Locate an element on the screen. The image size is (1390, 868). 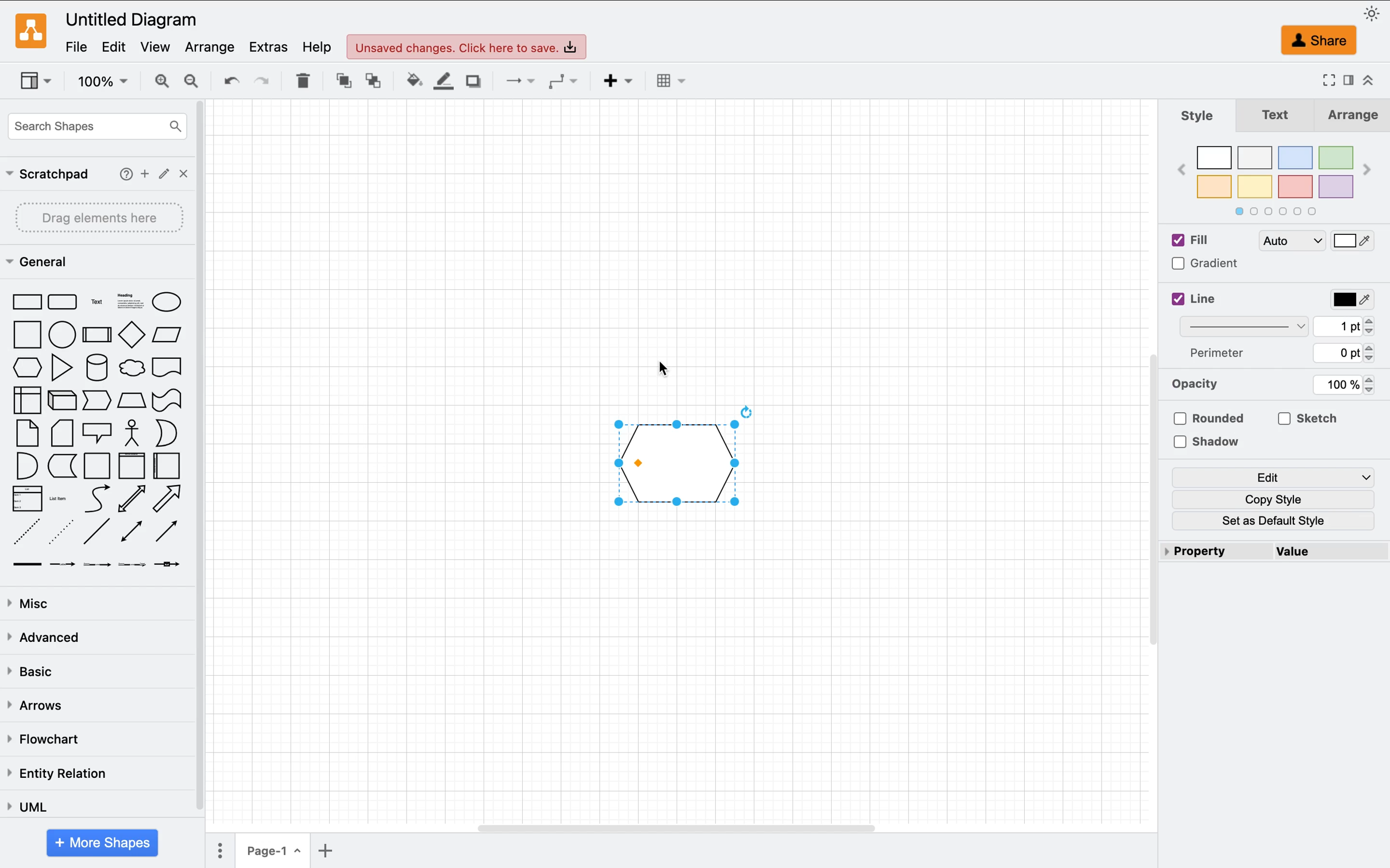
and is located at coordinates (26, 464).